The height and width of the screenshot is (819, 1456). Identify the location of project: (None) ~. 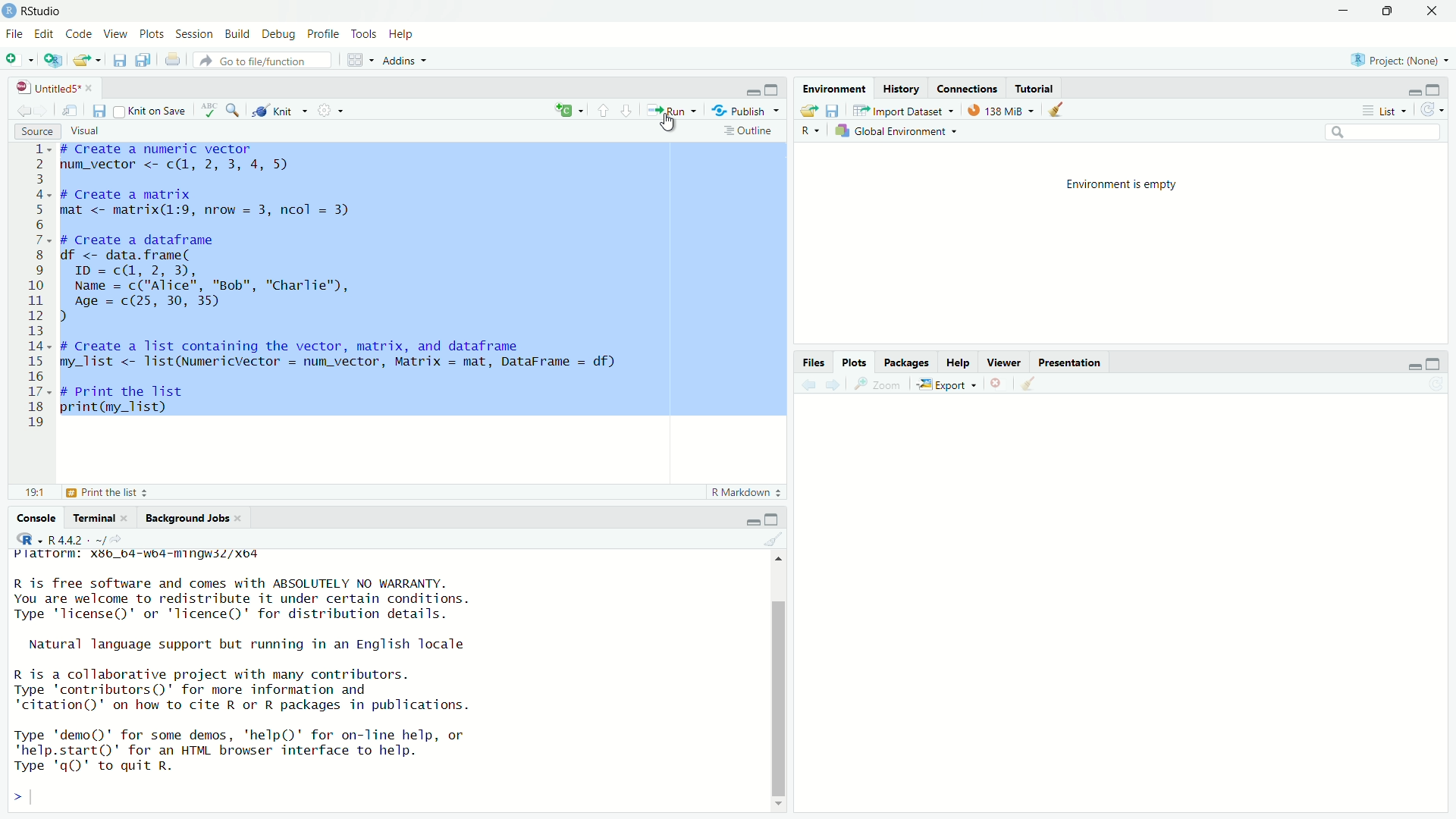
(1398, 60).